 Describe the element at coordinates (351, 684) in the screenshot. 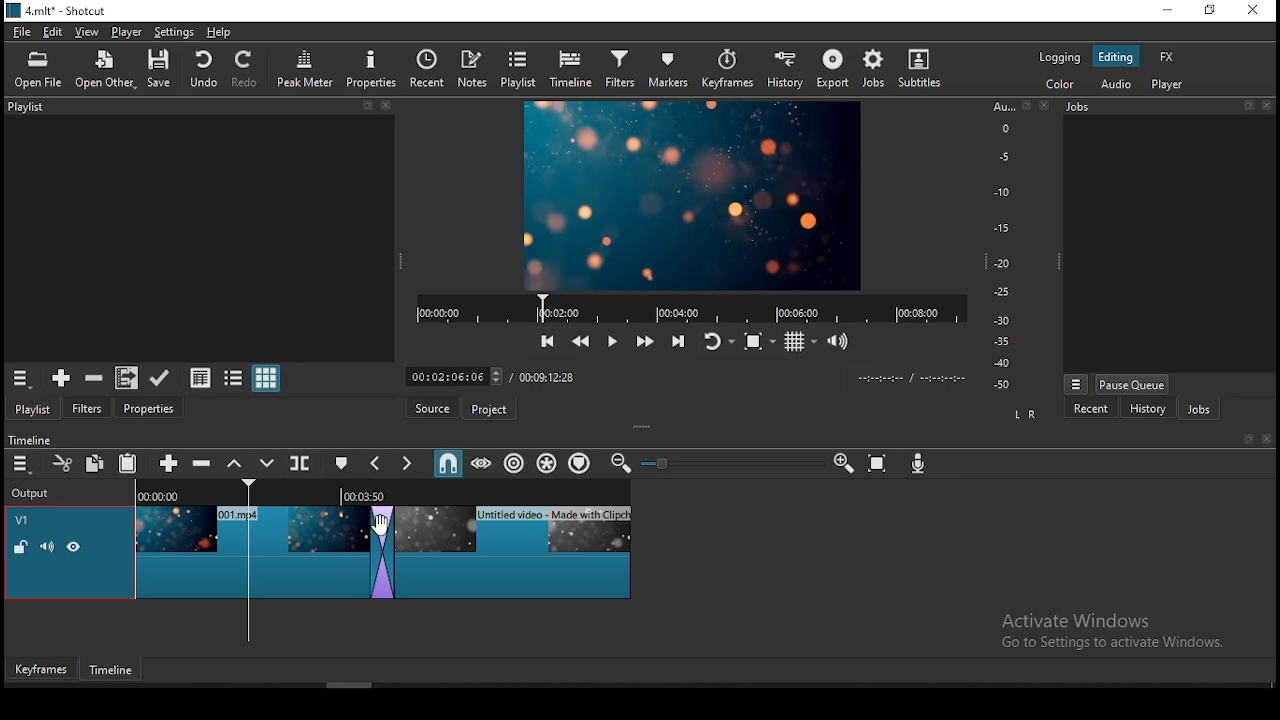

I see `scroll bar` at that location.